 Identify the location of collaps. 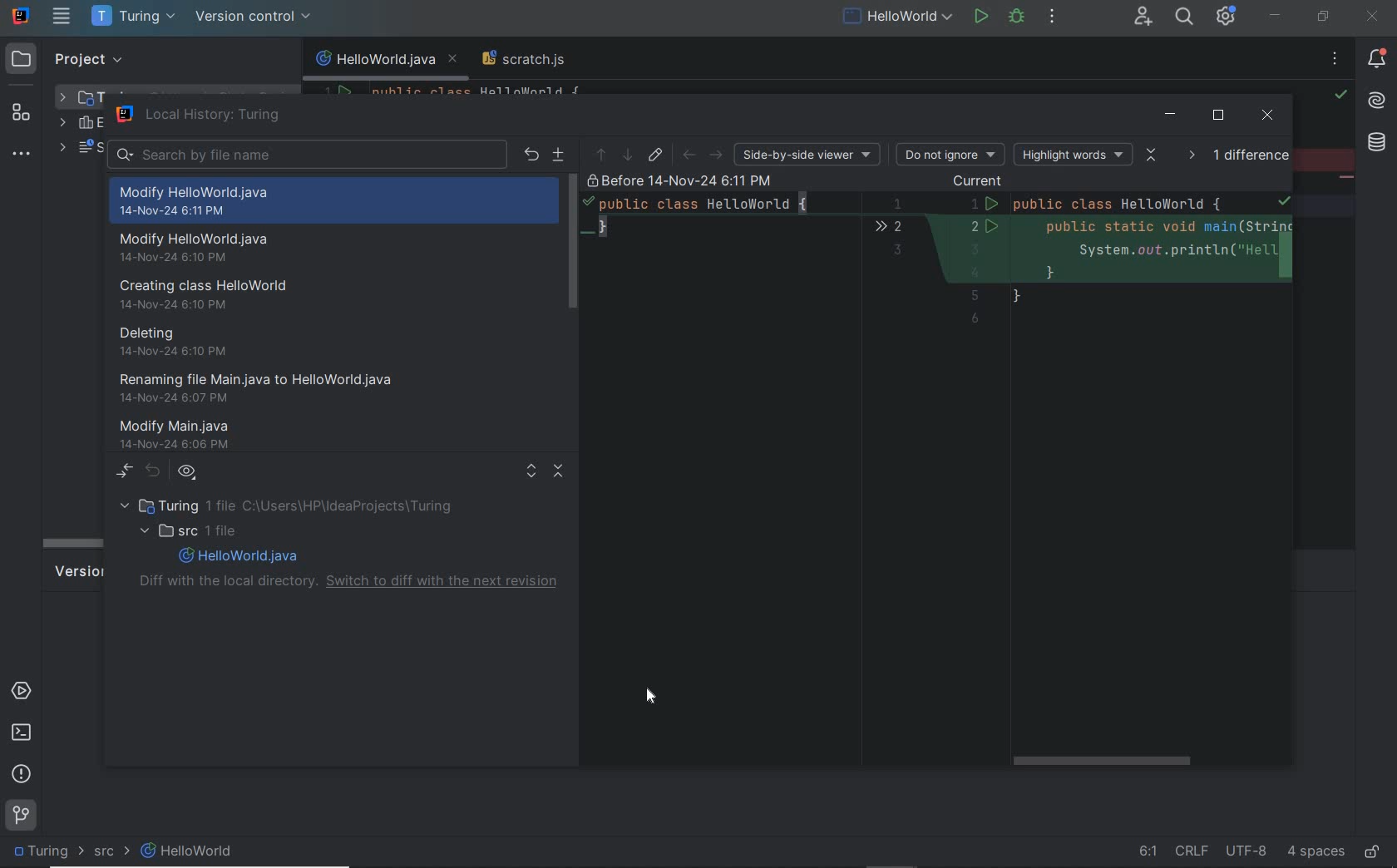
(1155, 156).